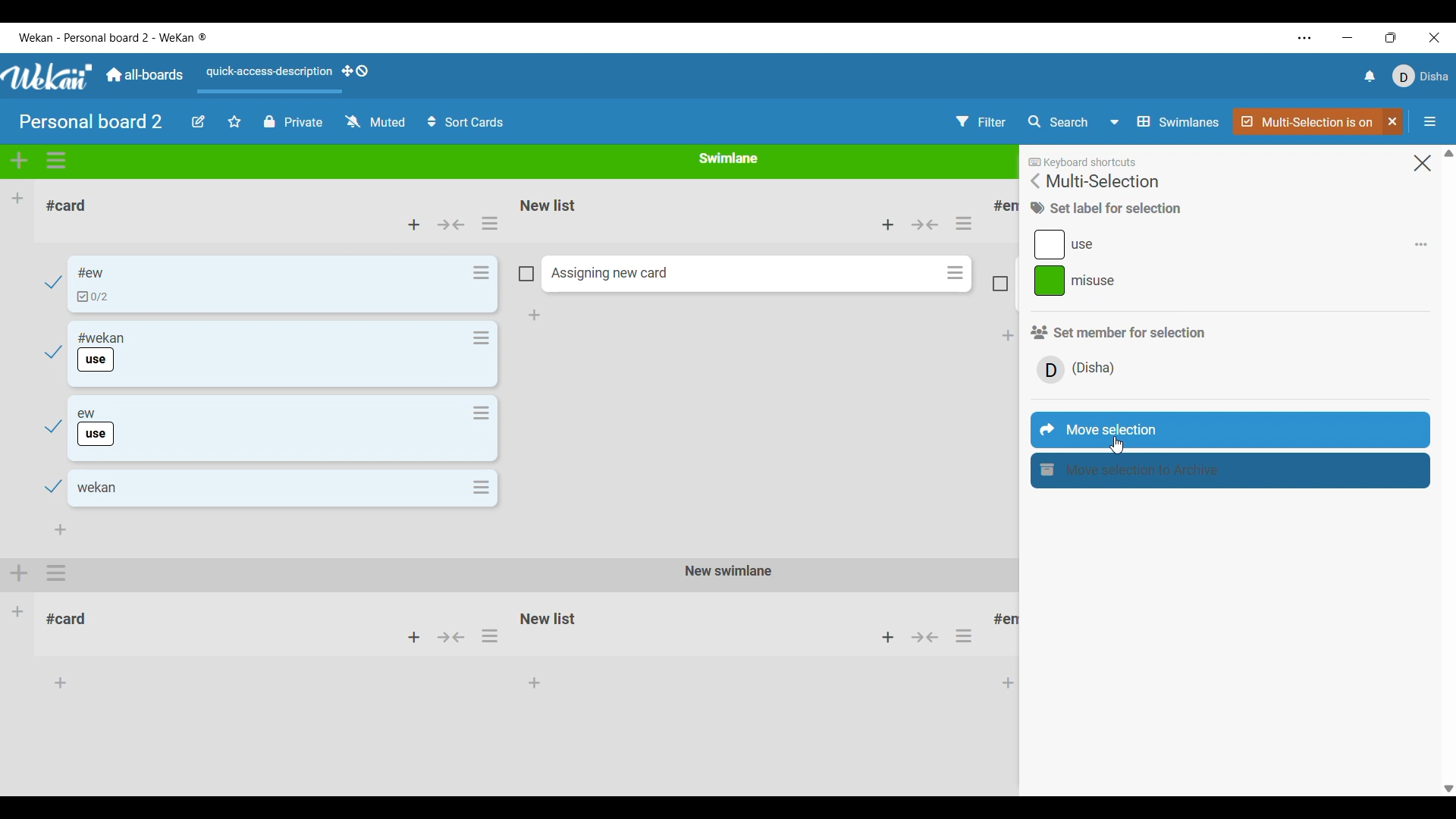  Describe the element at coordinates (550, 204) in the screenshot. I see `Name of list` at that location.